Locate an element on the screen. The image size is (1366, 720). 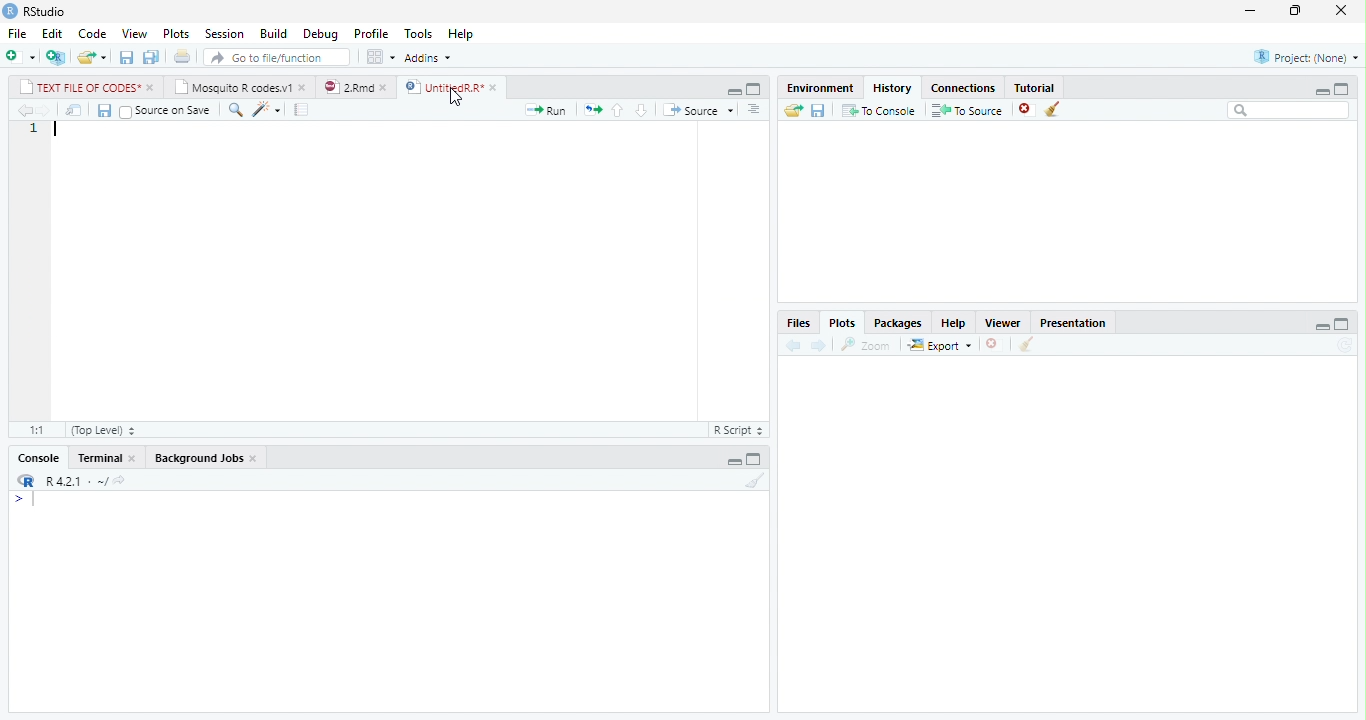
search is located at coordinates (236, 110).